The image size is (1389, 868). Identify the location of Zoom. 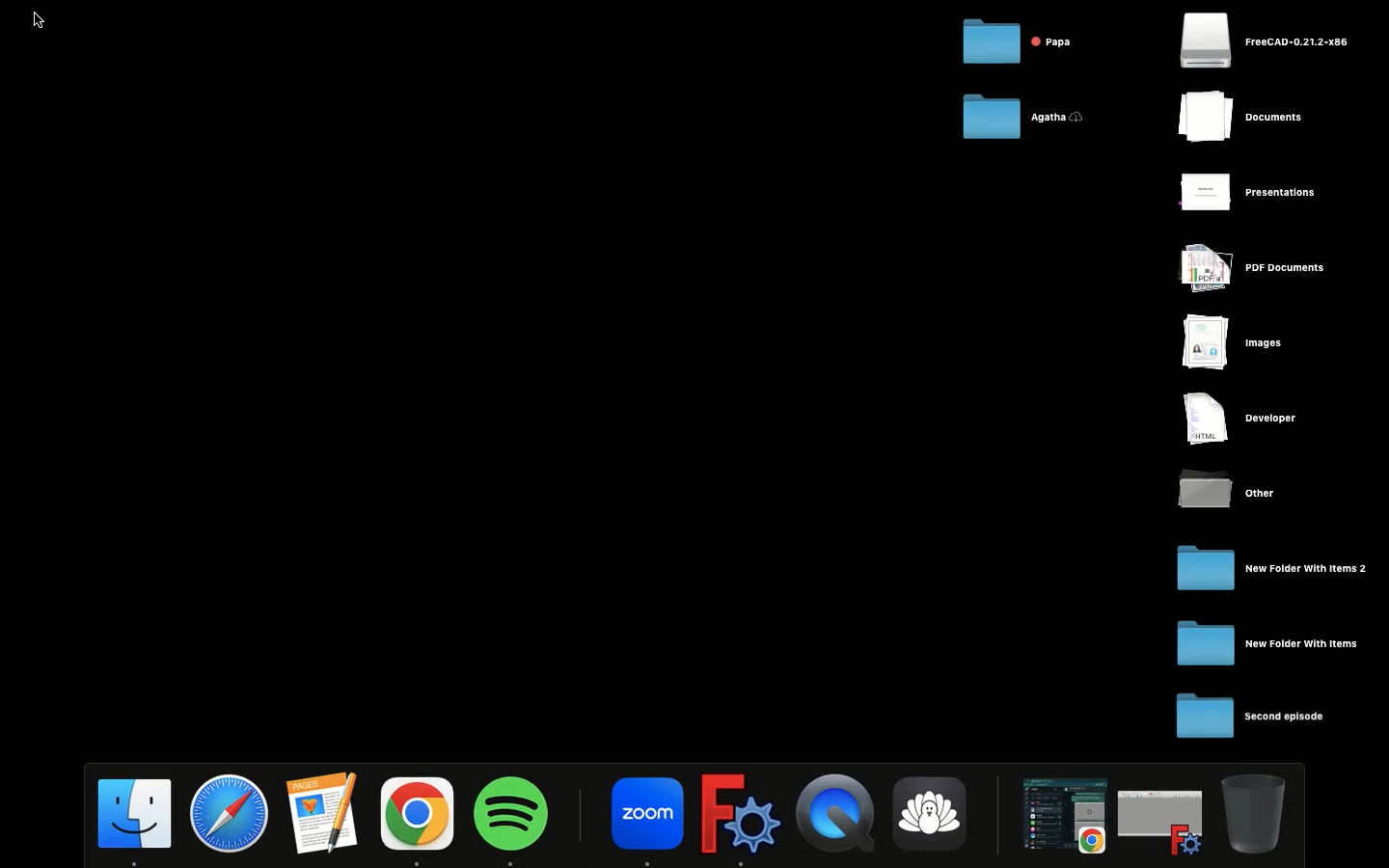
(646, 818).